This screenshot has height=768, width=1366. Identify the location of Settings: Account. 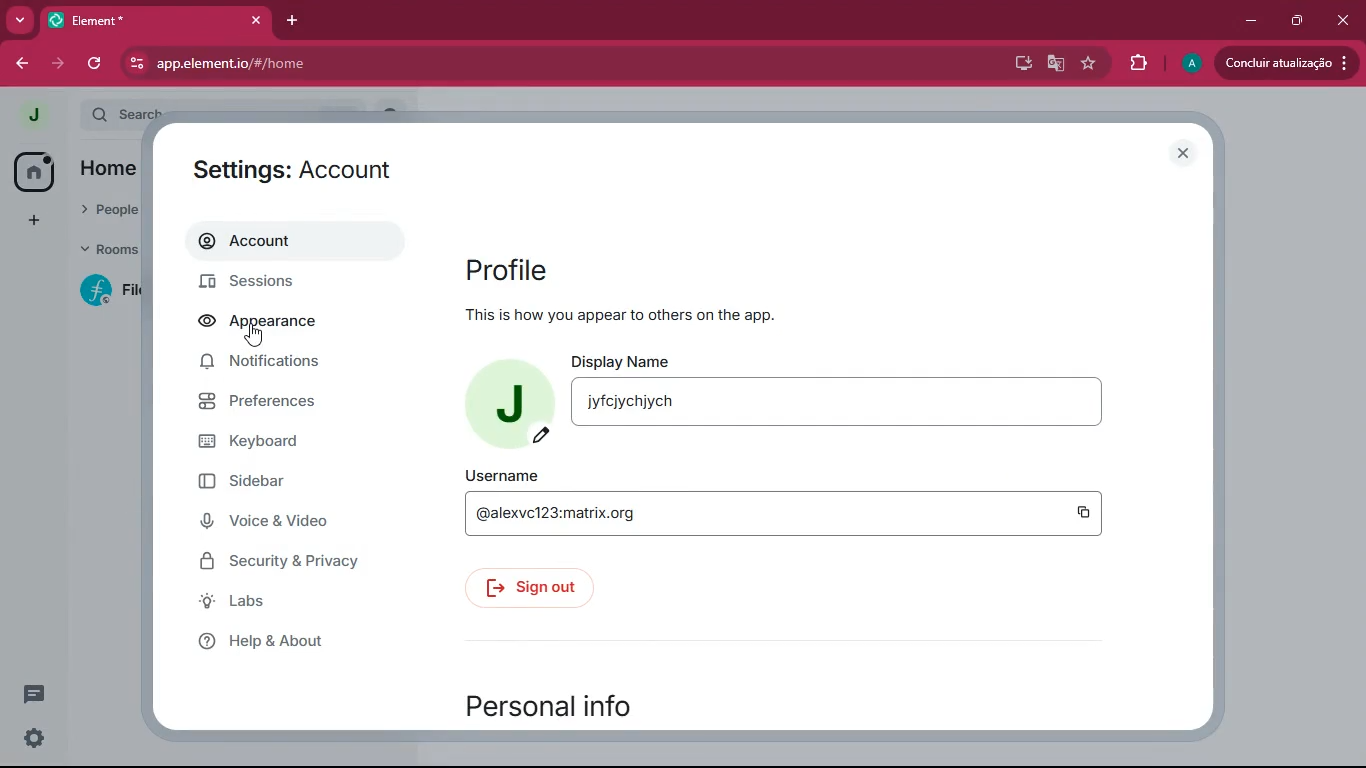
(301, 174).